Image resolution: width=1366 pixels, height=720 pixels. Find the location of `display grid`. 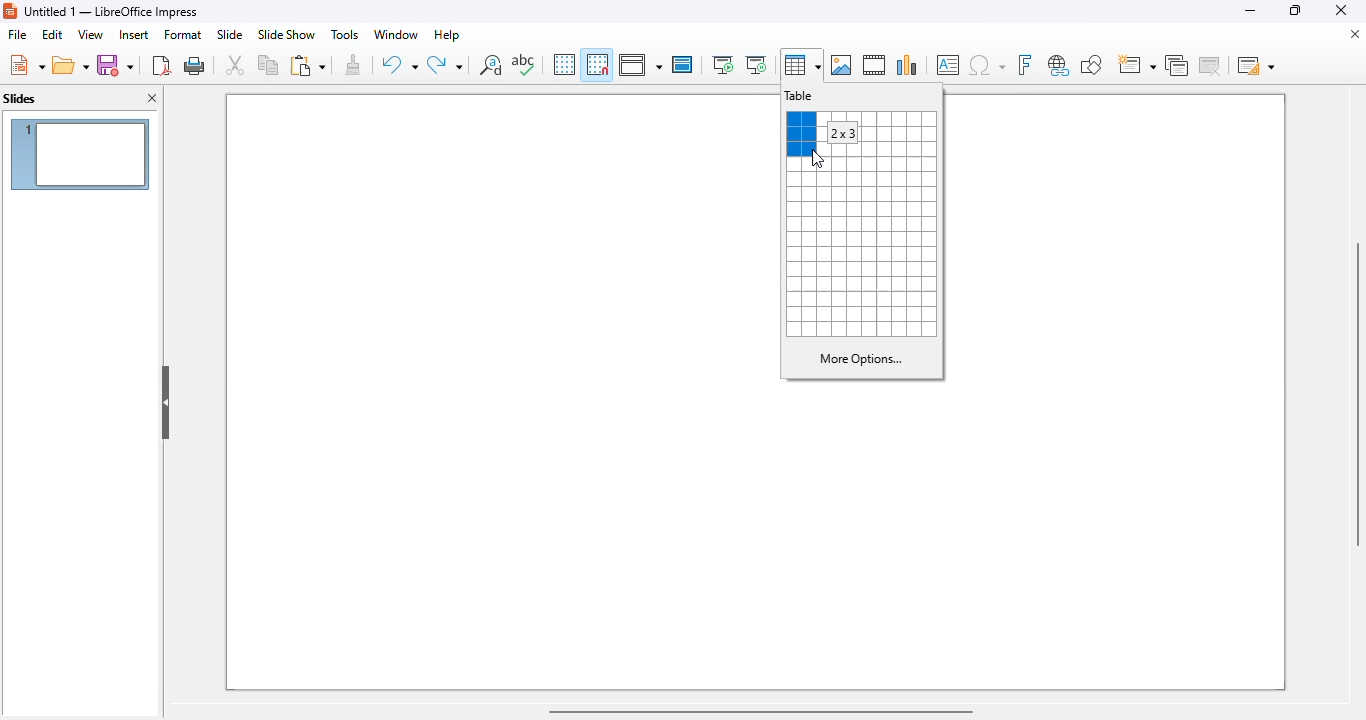

display grid is located at coordinates (564, 64).